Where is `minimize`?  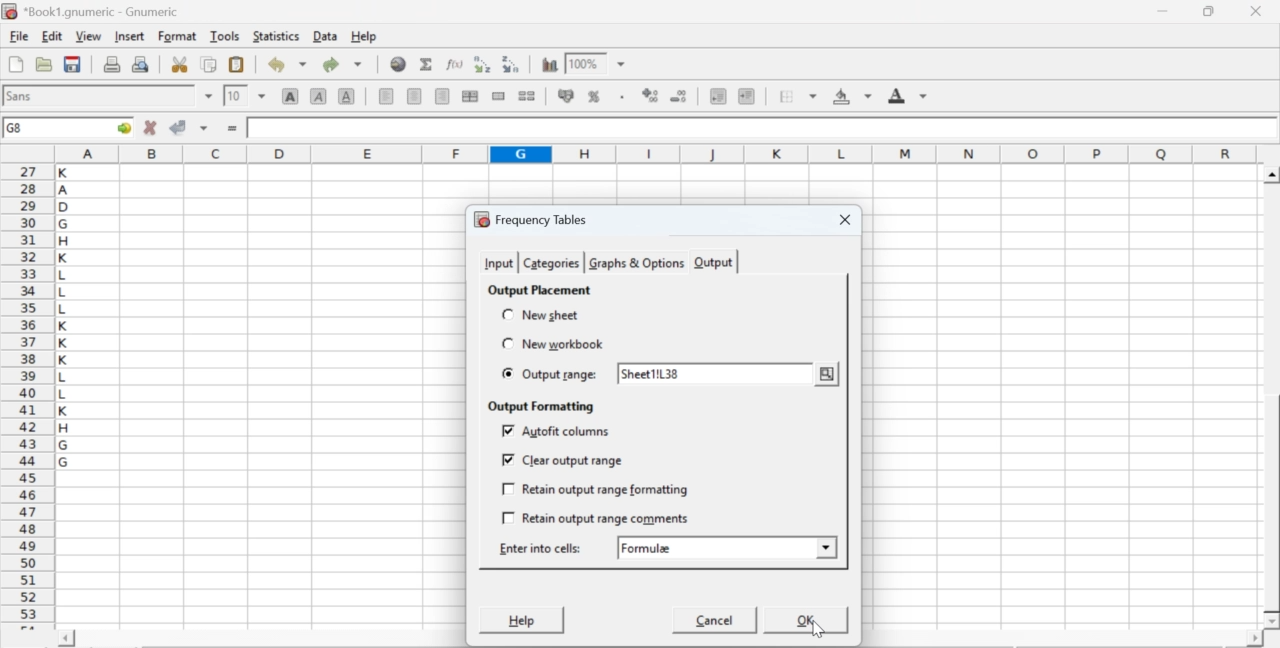
minimize is located at coordinates (1164, 11).